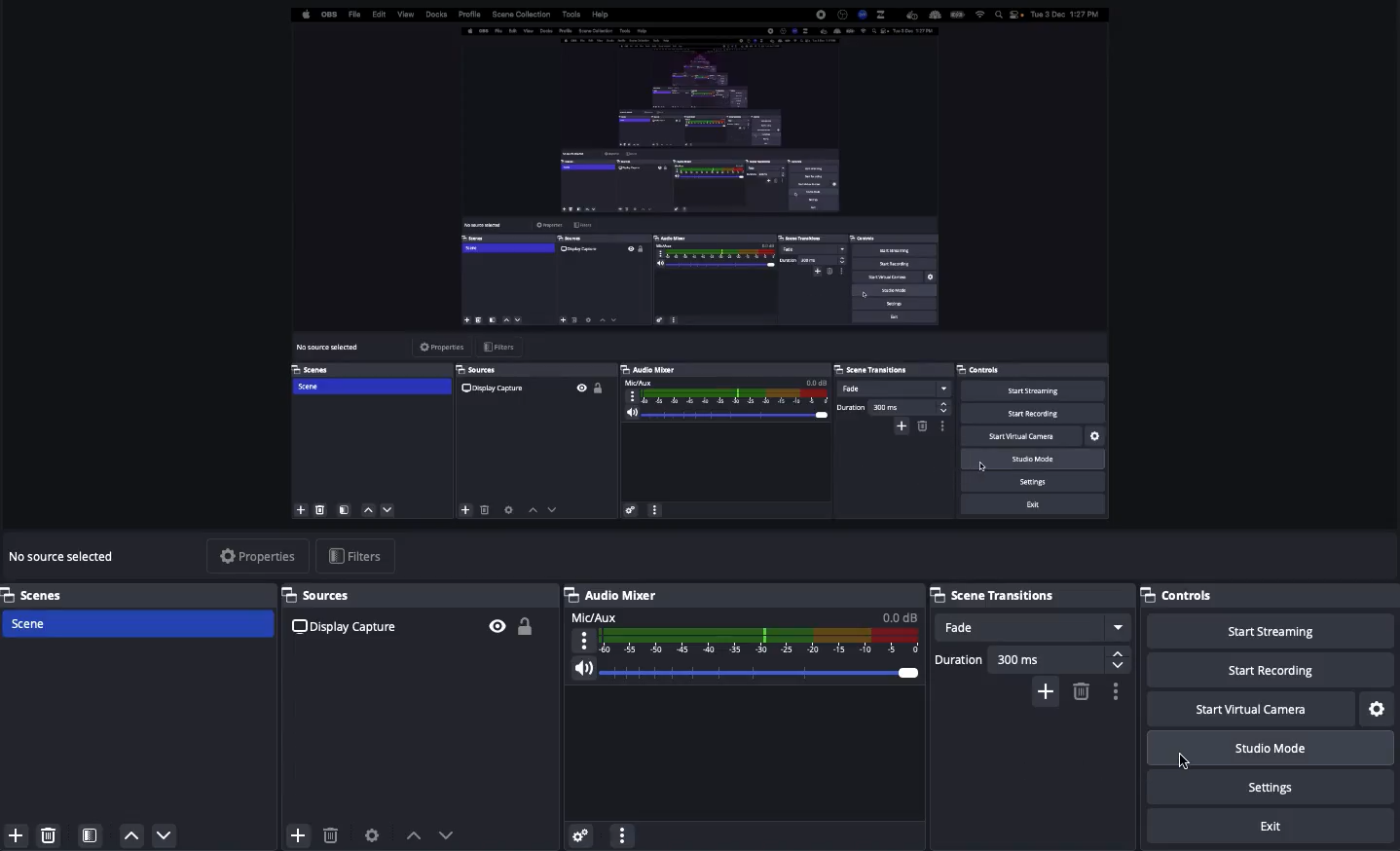  What do you see at coordinates (1046, 692) in the screenshot?
I see `Add` at bounding box center [1046, 692].